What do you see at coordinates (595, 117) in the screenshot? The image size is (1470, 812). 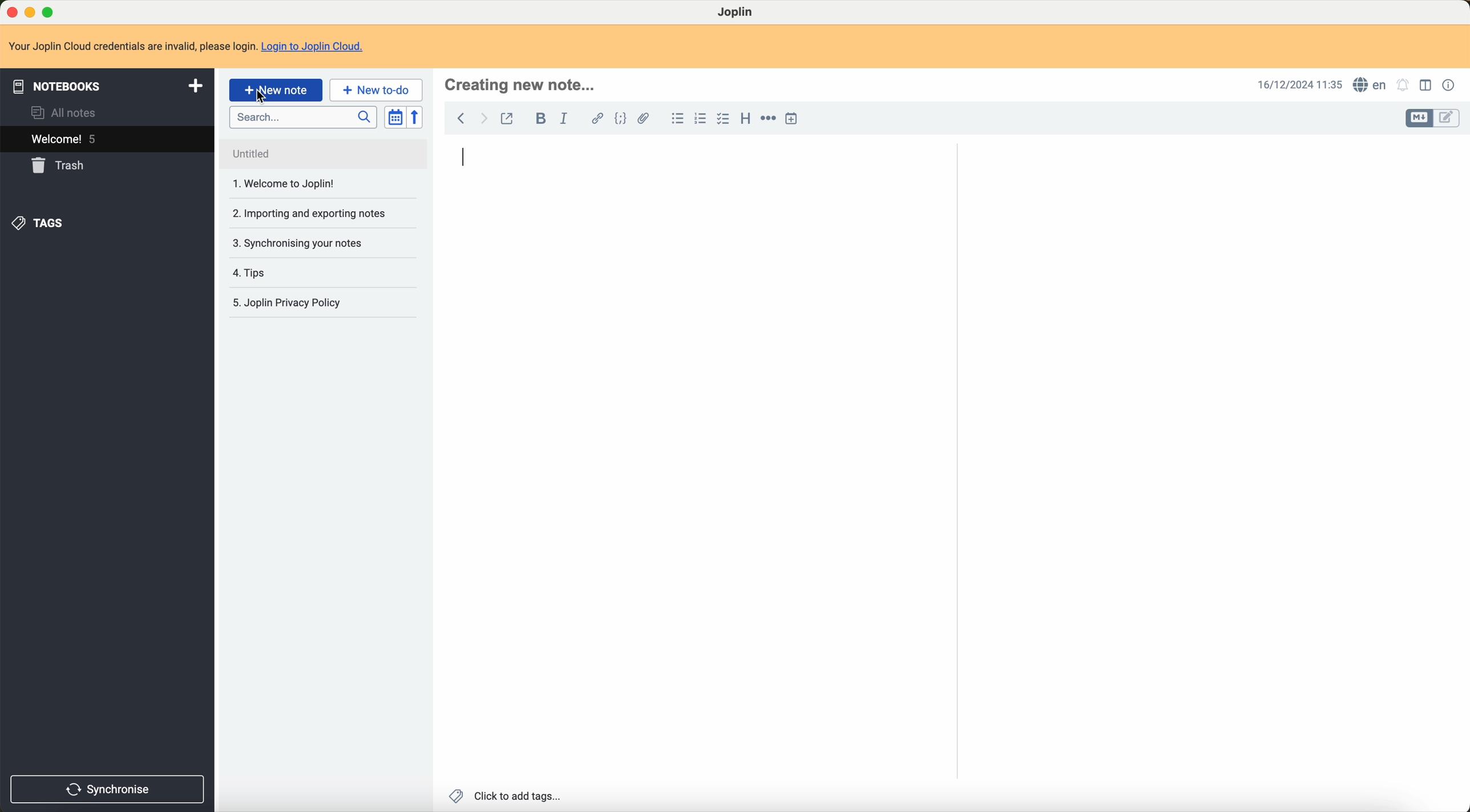 I see `hyperlink` at bounding box center [595, 117].